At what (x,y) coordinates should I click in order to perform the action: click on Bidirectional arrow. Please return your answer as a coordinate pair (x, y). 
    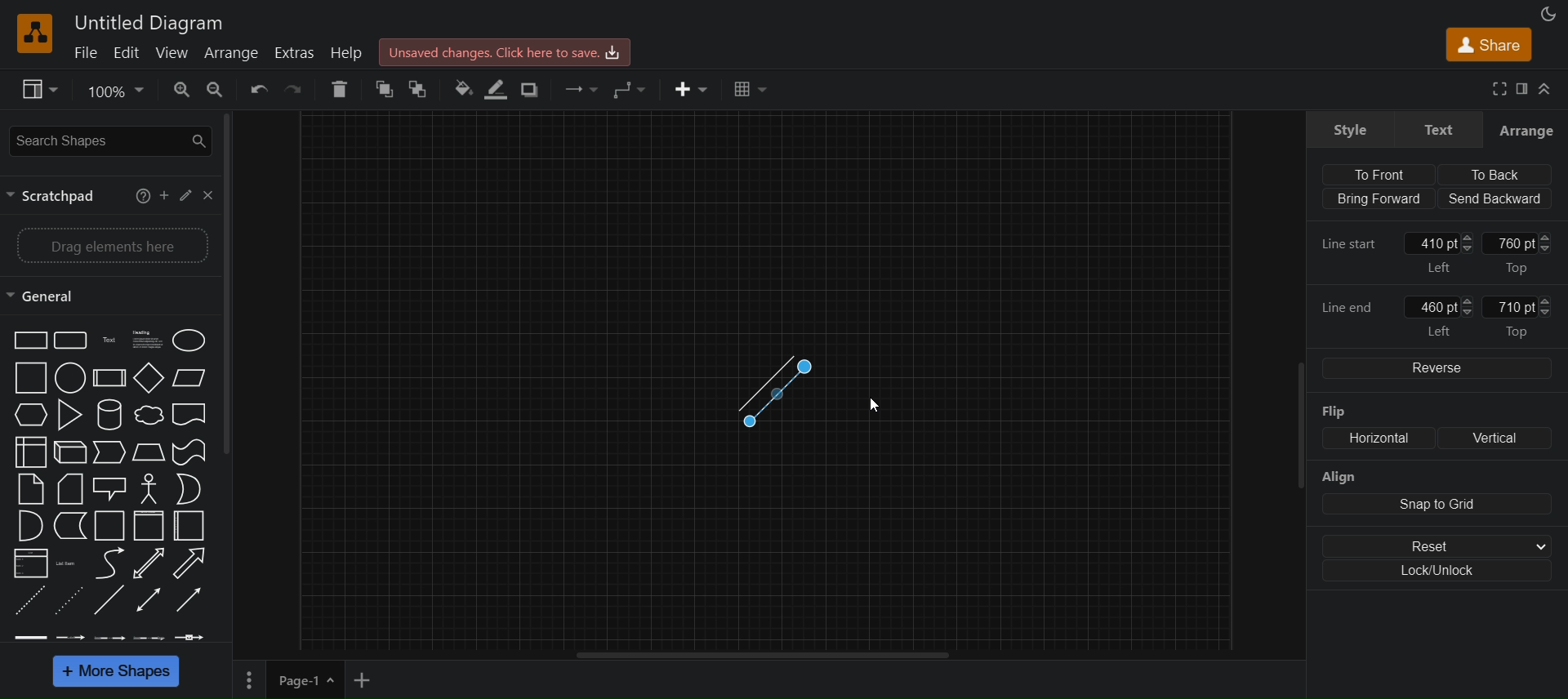
    Looking at the image, I should click on (147, 563).